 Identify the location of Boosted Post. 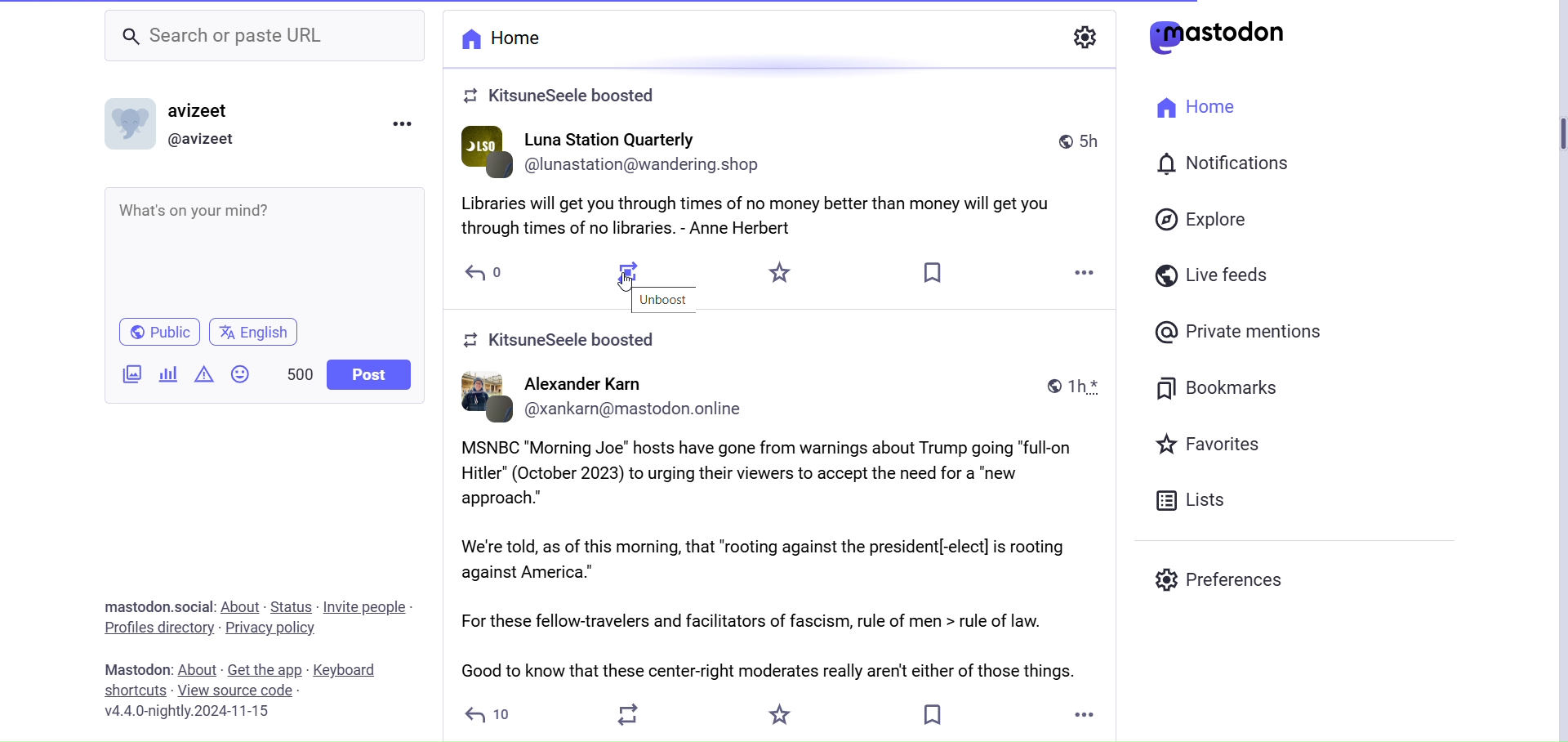
(572, 97).